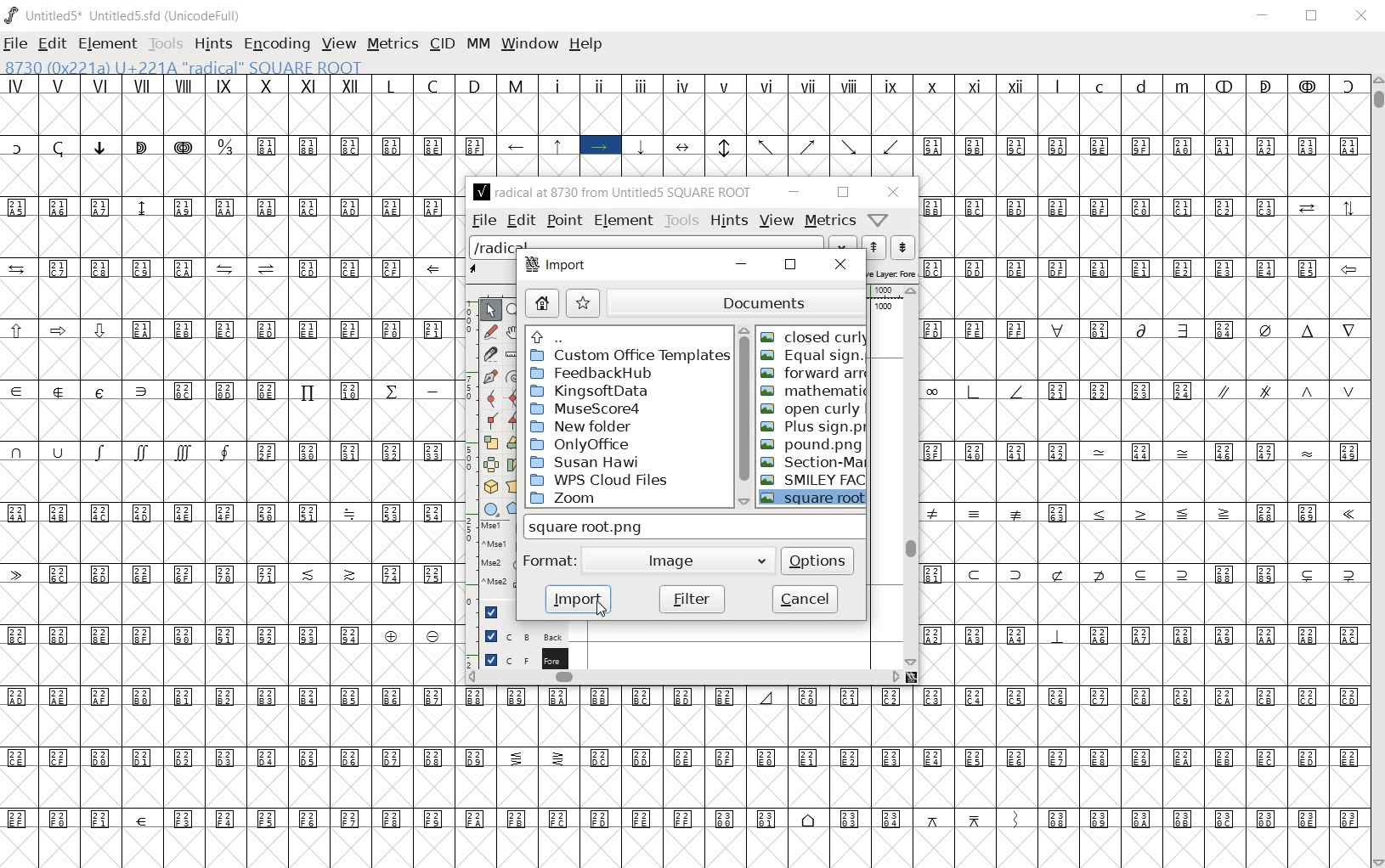 The height and width of the screenshot is (868, 1385). Describe the element at coordinates (581, 427) in the screenshot. I see `New folder` at that location.